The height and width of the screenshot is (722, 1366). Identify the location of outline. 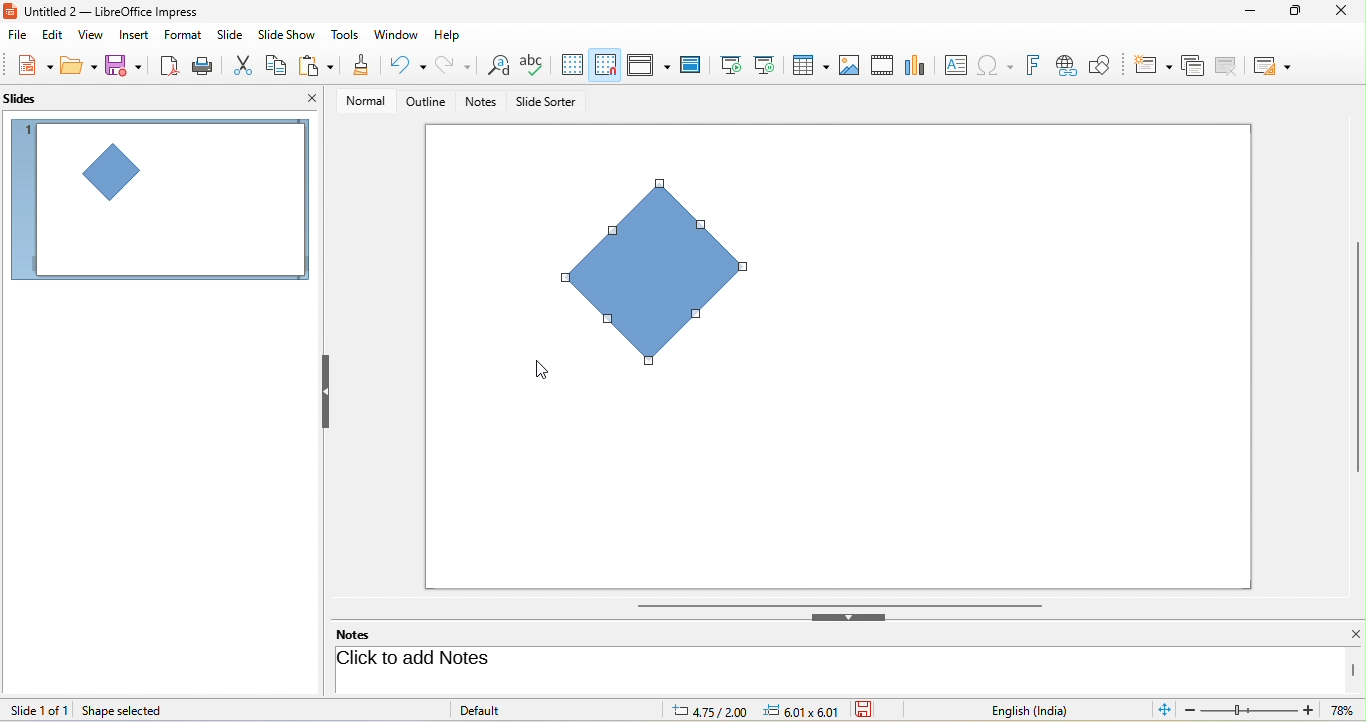
(422, 102).